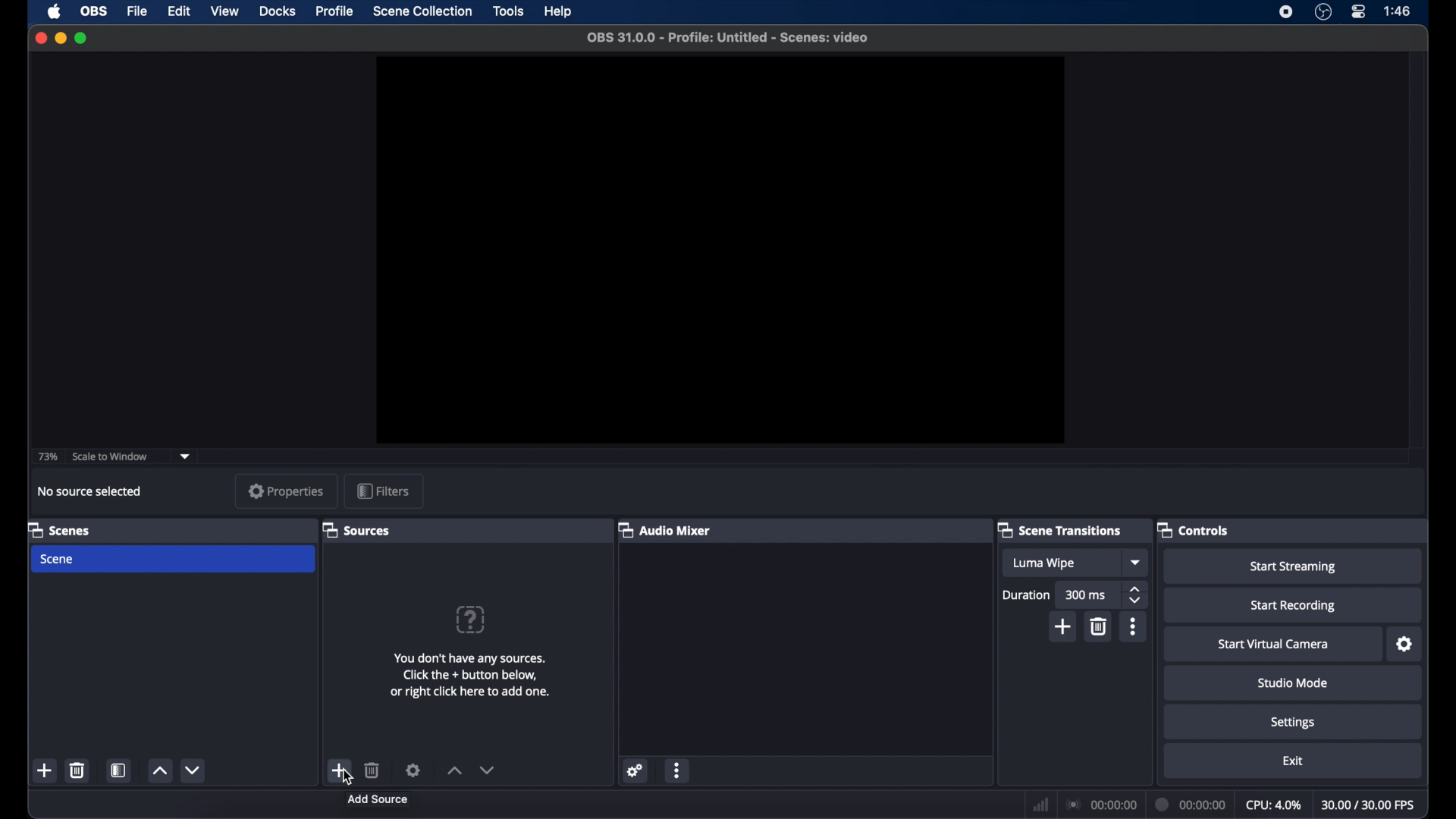 The image size is (1456, 819). What do you see at coordinates (1294, 761) in the screenshot?
I see `exit` at bounding box center [1294, 761].